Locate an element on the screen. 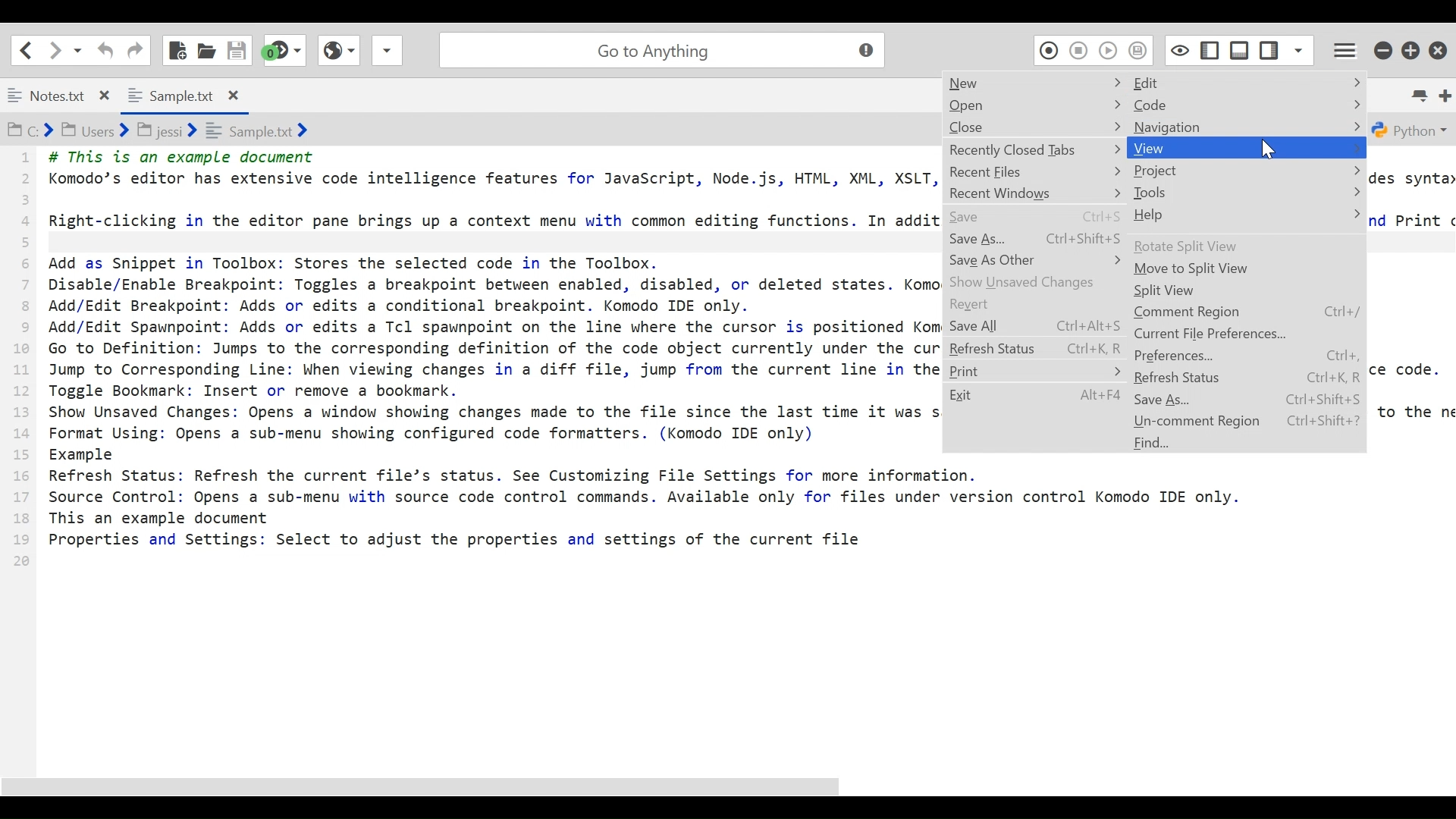  Go back one location is located at coordinates (28, 49).